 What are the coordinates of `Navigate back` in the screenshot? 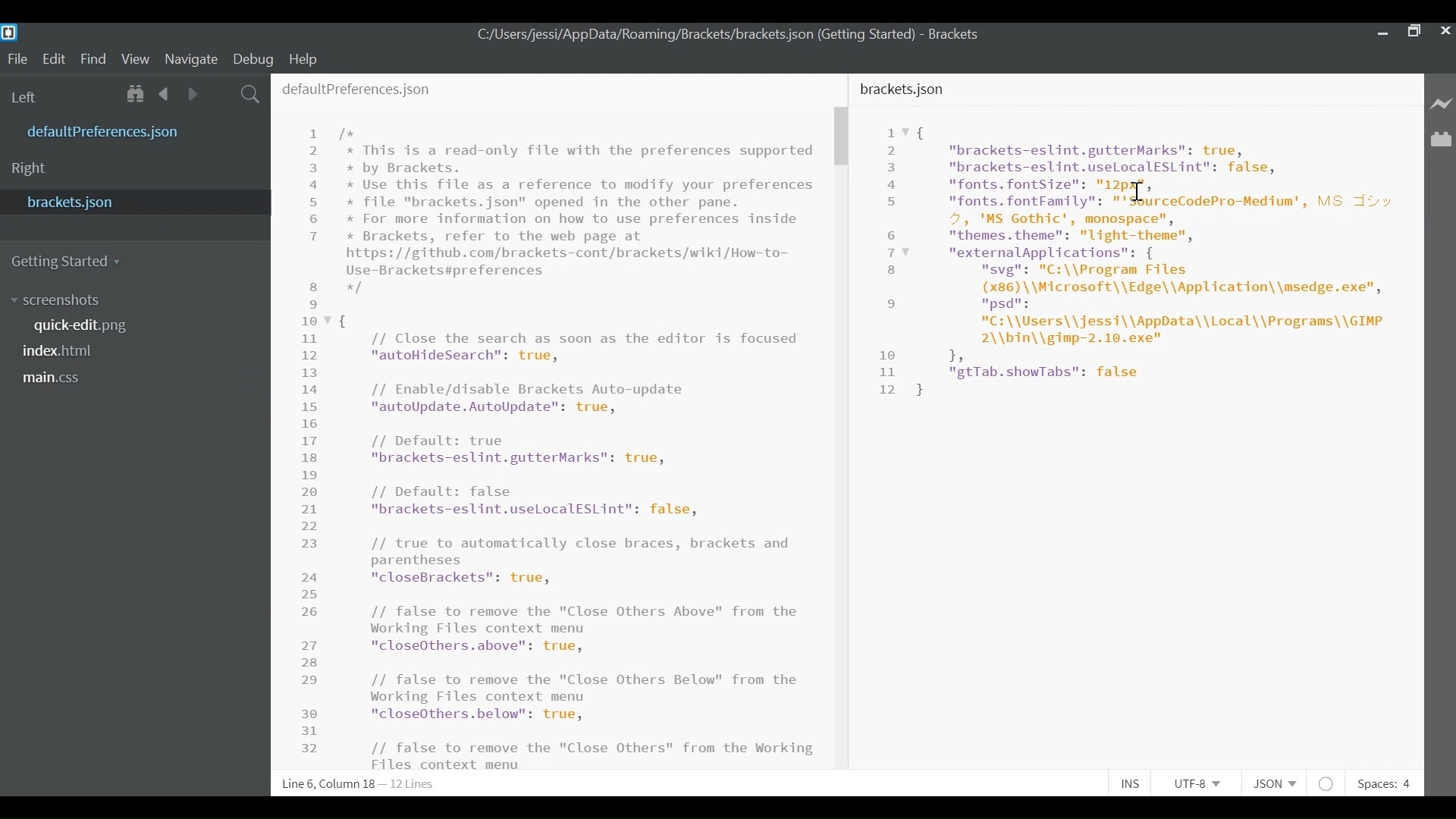 It's located at (165, 94).